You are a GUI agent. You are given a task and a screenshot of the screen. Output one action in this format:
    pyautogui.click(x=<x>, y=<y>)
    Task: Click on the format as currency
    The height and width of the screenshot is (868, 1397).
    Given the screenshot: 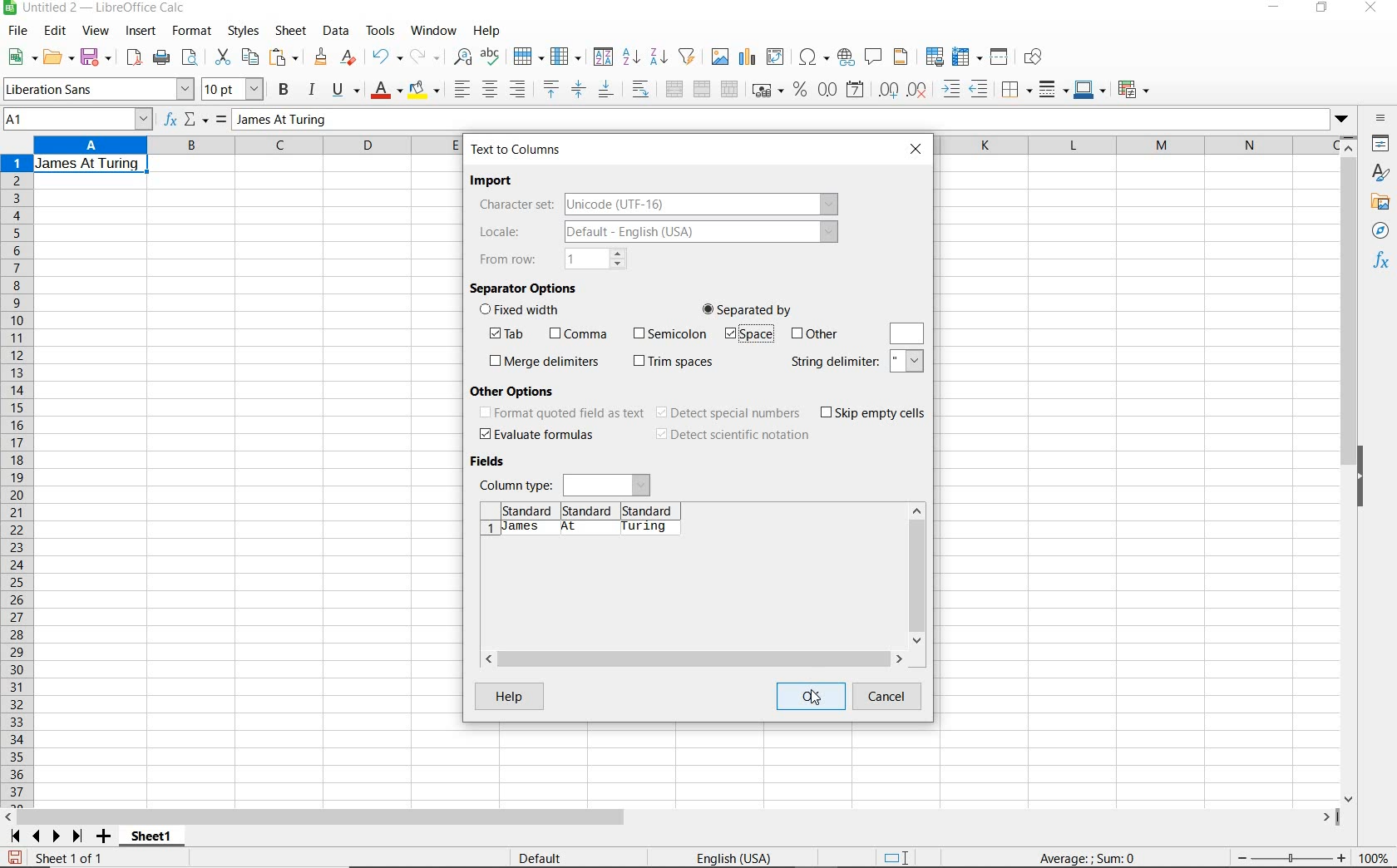 What is the action you would take?
    pyautogui.click(x=767, y=91)
    